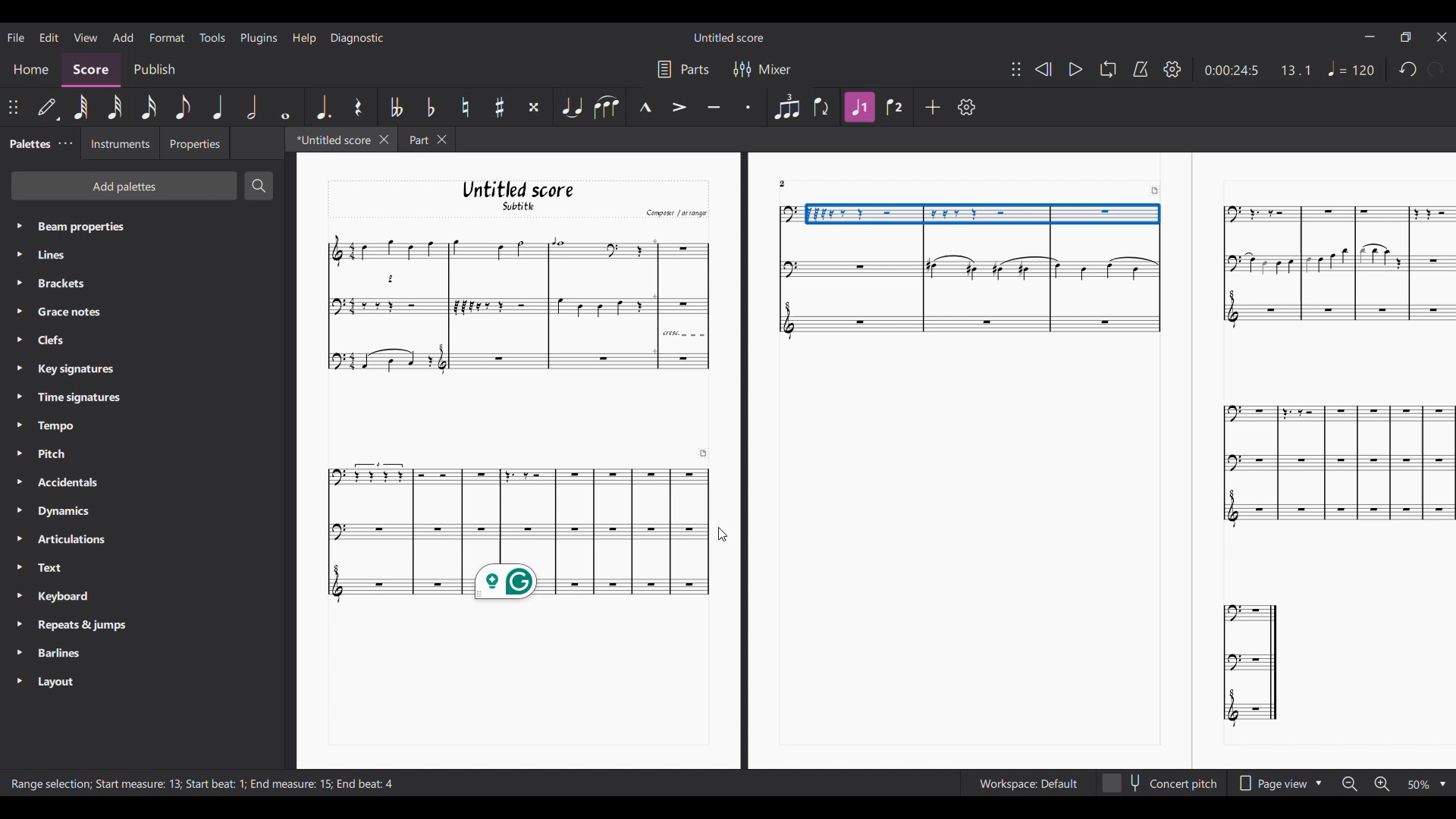 Image resolution: width=1456 pixels, height=819 pixels. Describe the element at coordinates (65, 543) in the screenshot. I see `> Articulations` at that location.